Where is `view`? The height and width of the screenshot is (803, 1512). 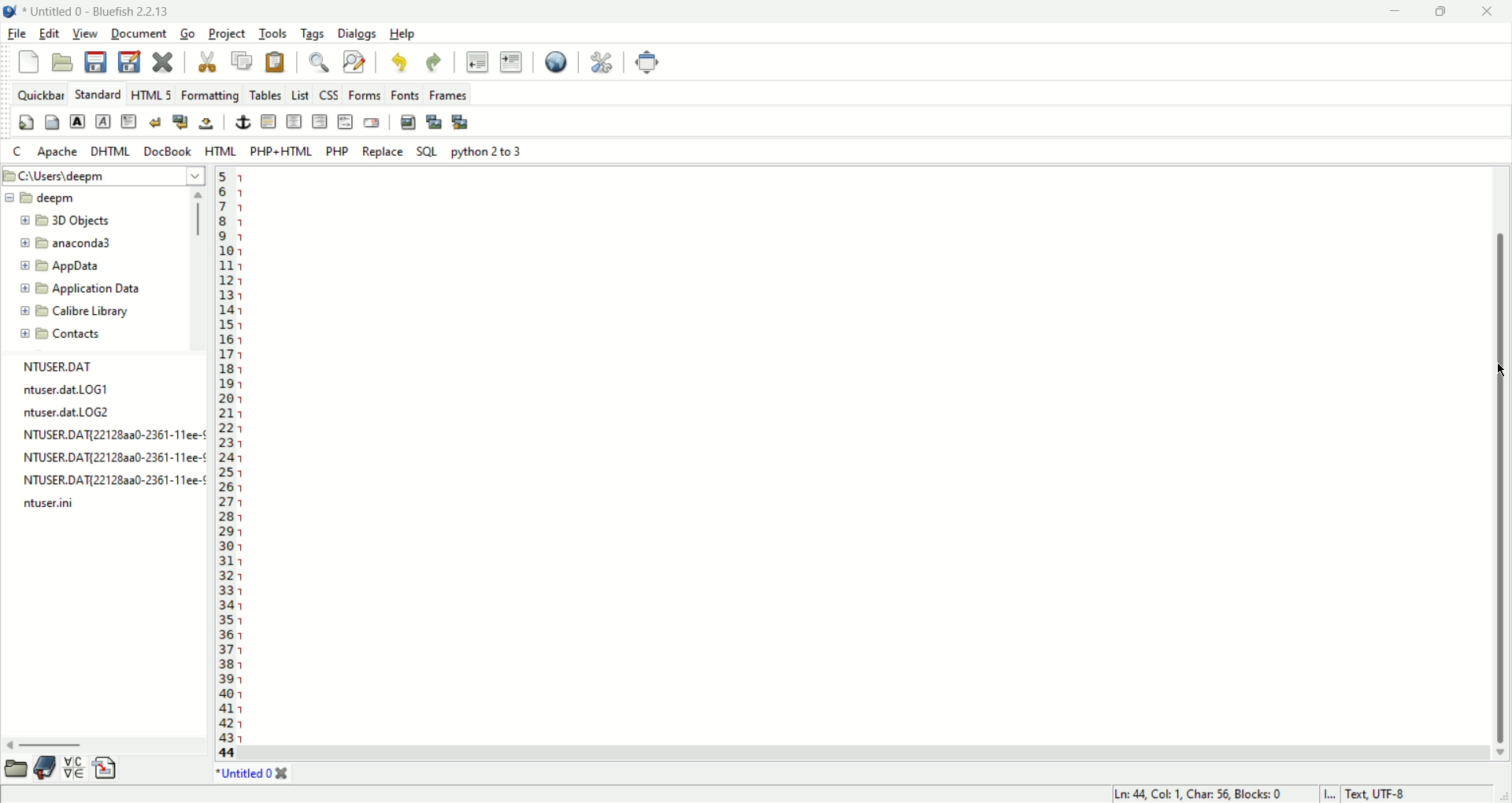
view is located at coordinates (86, 33).